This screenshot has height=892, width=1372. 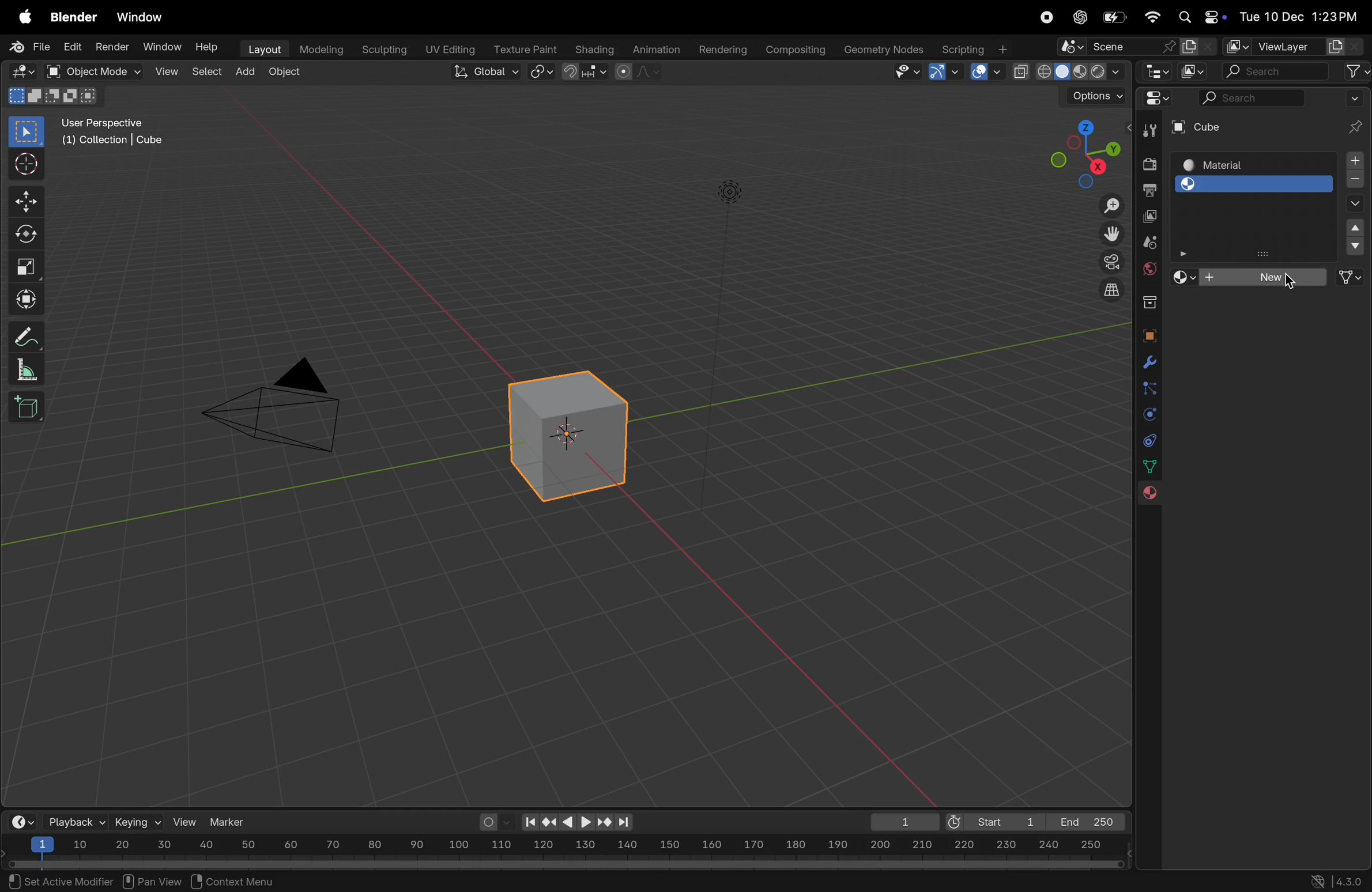 What do you see at coordinates (119, 131) in the screenshot?
I see `user perspective` at bounding box center [119, 131].